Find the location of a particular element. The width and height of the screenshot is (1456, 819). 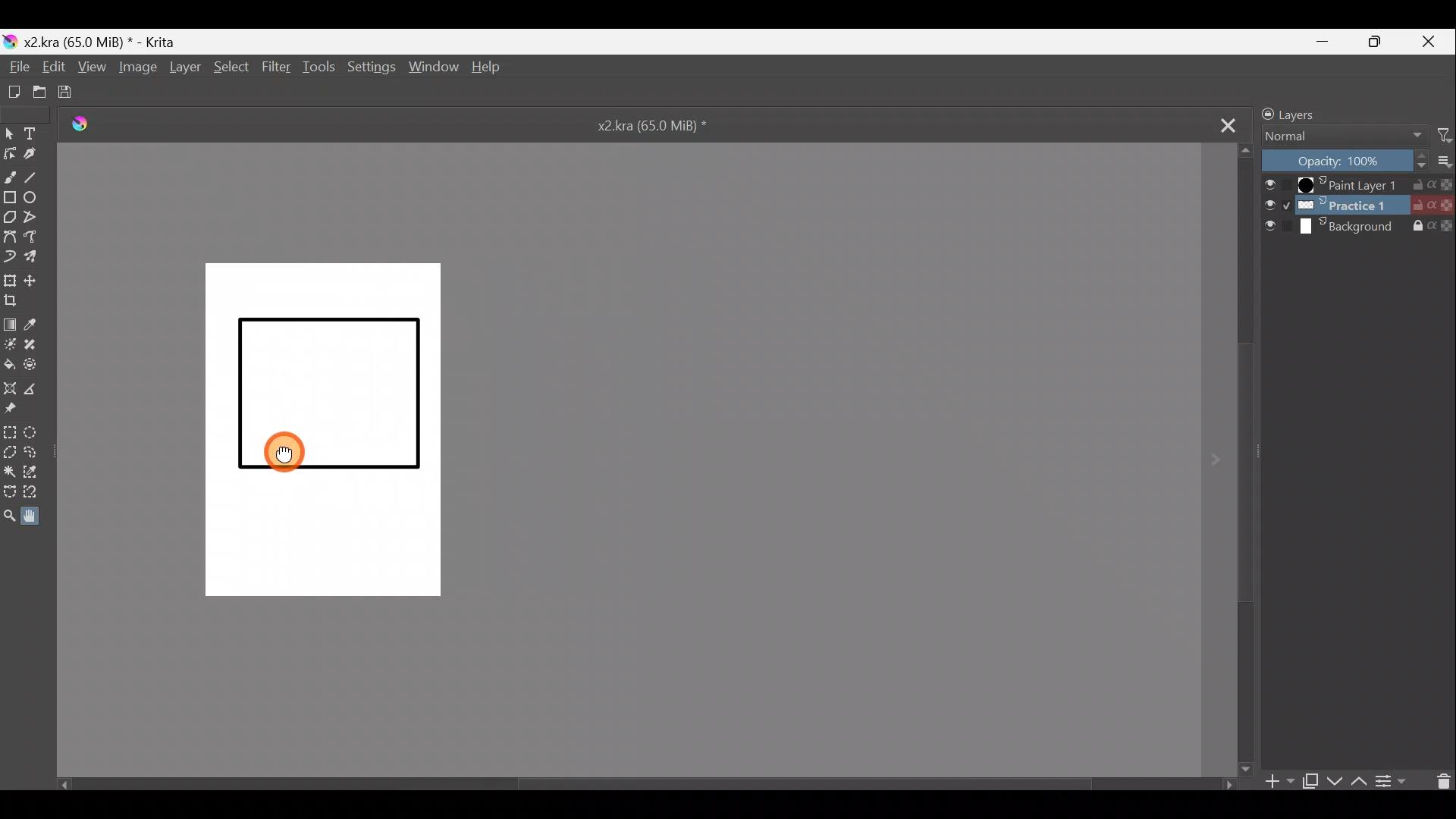

Reference images tool is located at coordinates (18, 409).